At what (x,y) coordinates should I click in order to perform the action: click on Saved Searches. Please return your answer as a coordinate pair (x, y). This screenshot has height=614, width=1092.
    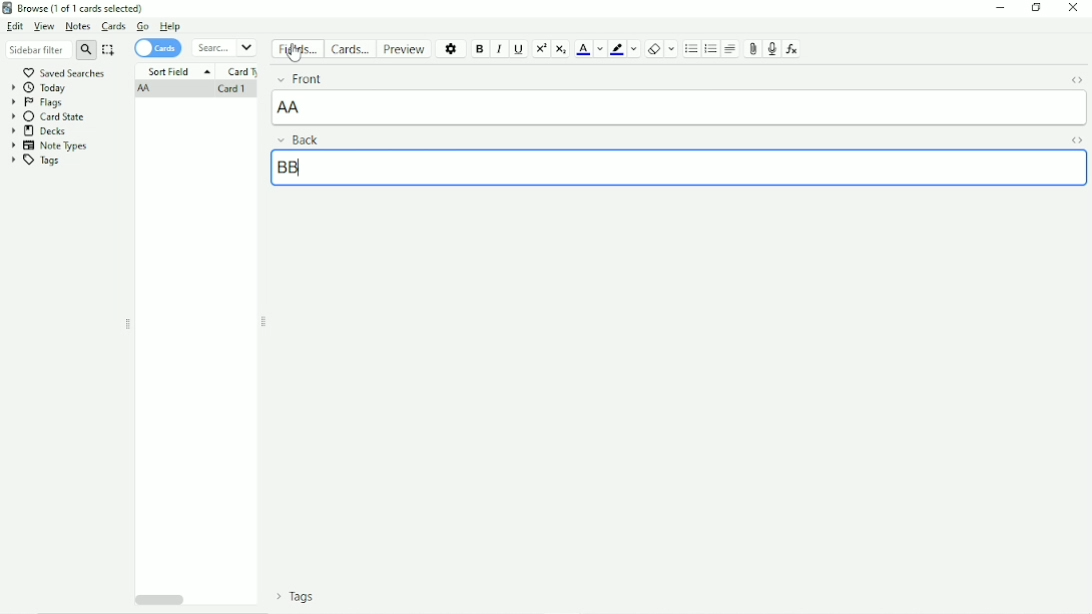
    Looking at the image, I should click on (66, 72).